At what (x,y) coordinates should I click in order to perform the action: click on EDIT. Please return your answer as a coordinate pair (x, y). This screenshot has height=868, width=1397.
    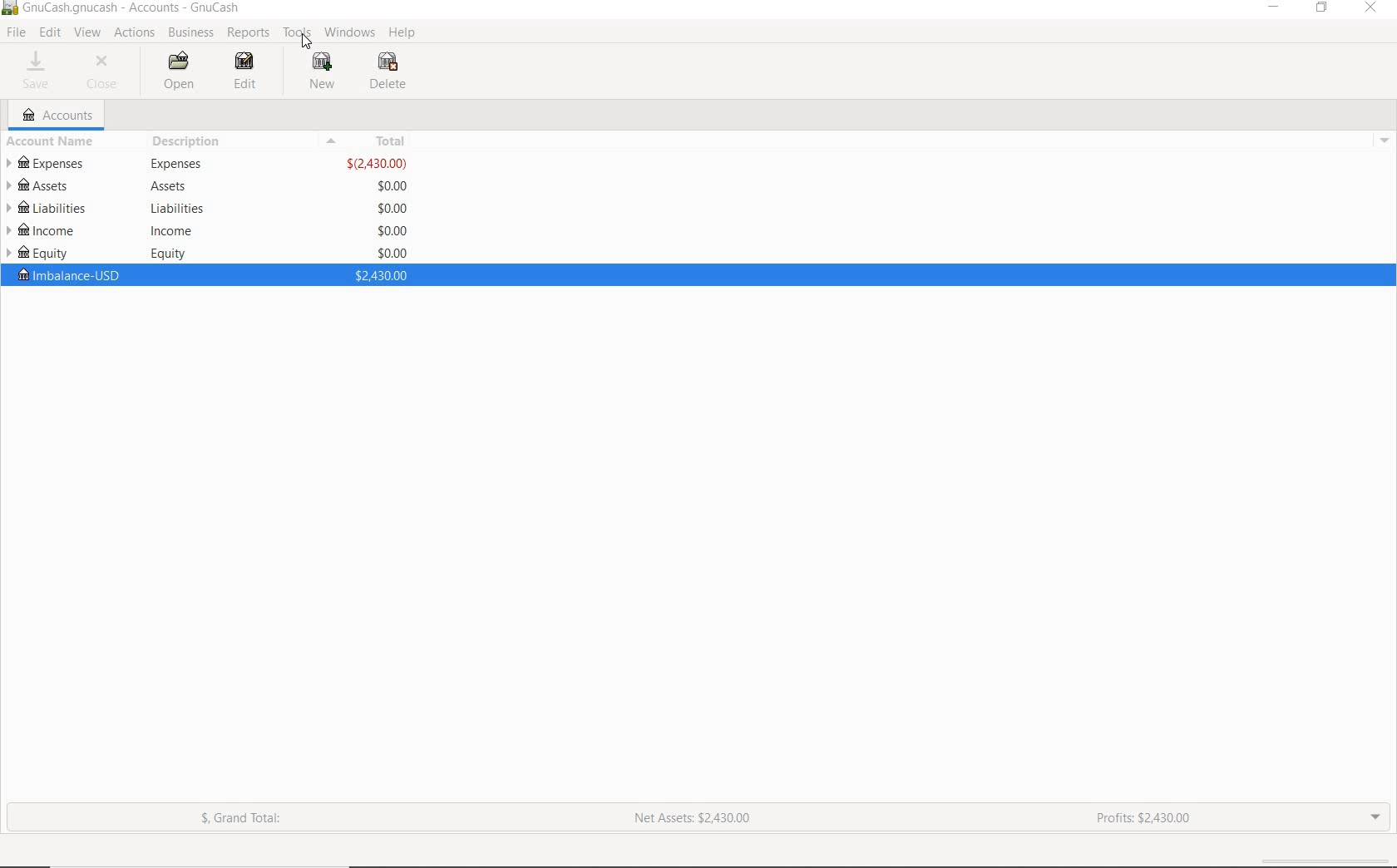
    Looking at the image, I should click on (254, 72).